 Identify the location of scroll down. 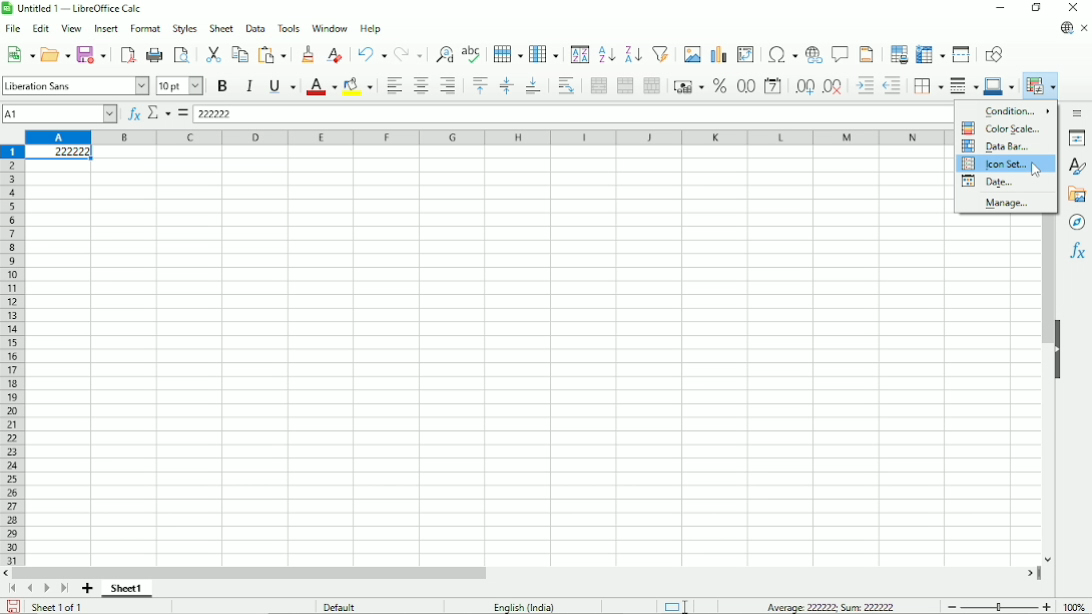
(1048, 559).